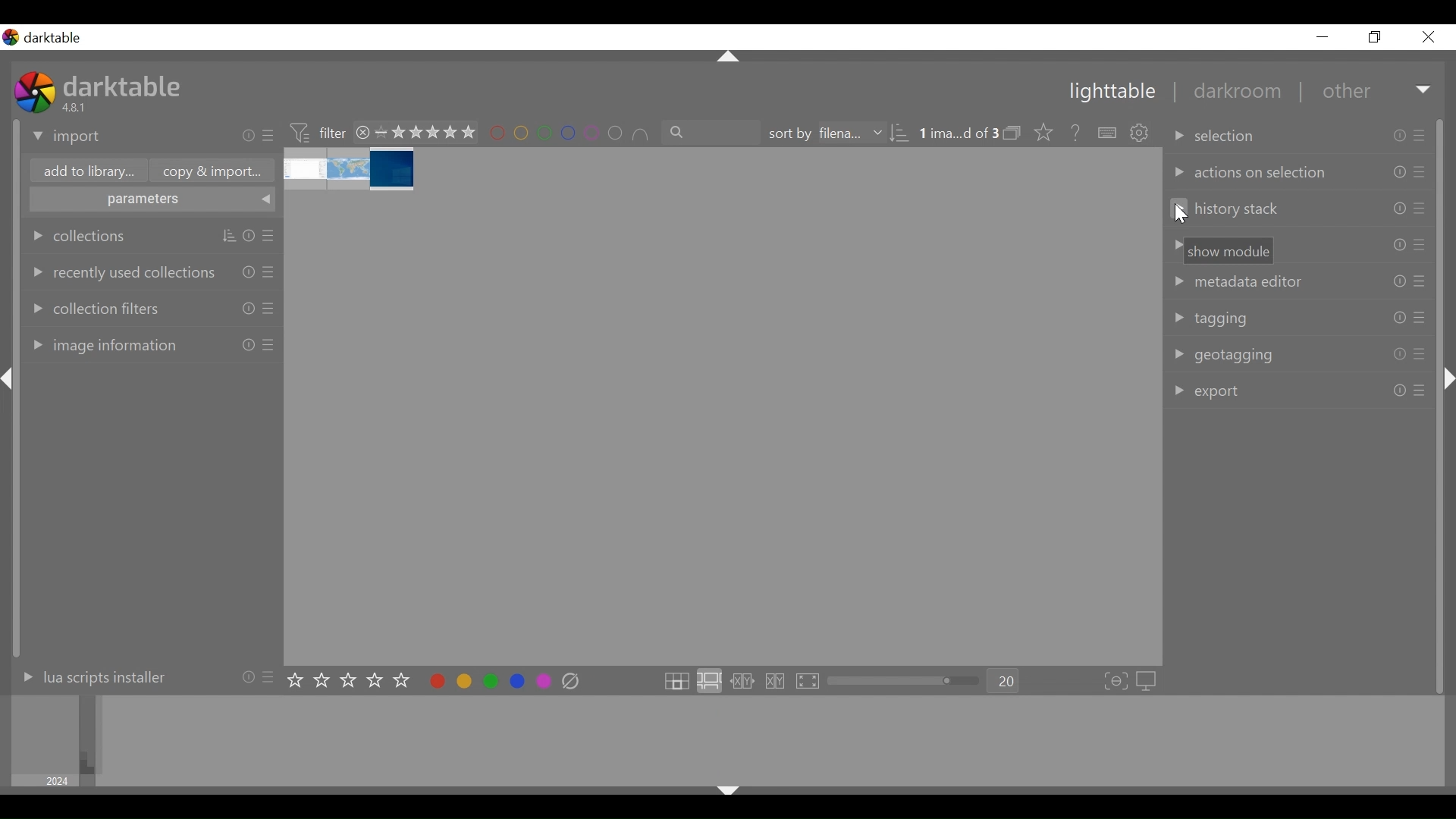  I want to click on presets, so click(270, 271).